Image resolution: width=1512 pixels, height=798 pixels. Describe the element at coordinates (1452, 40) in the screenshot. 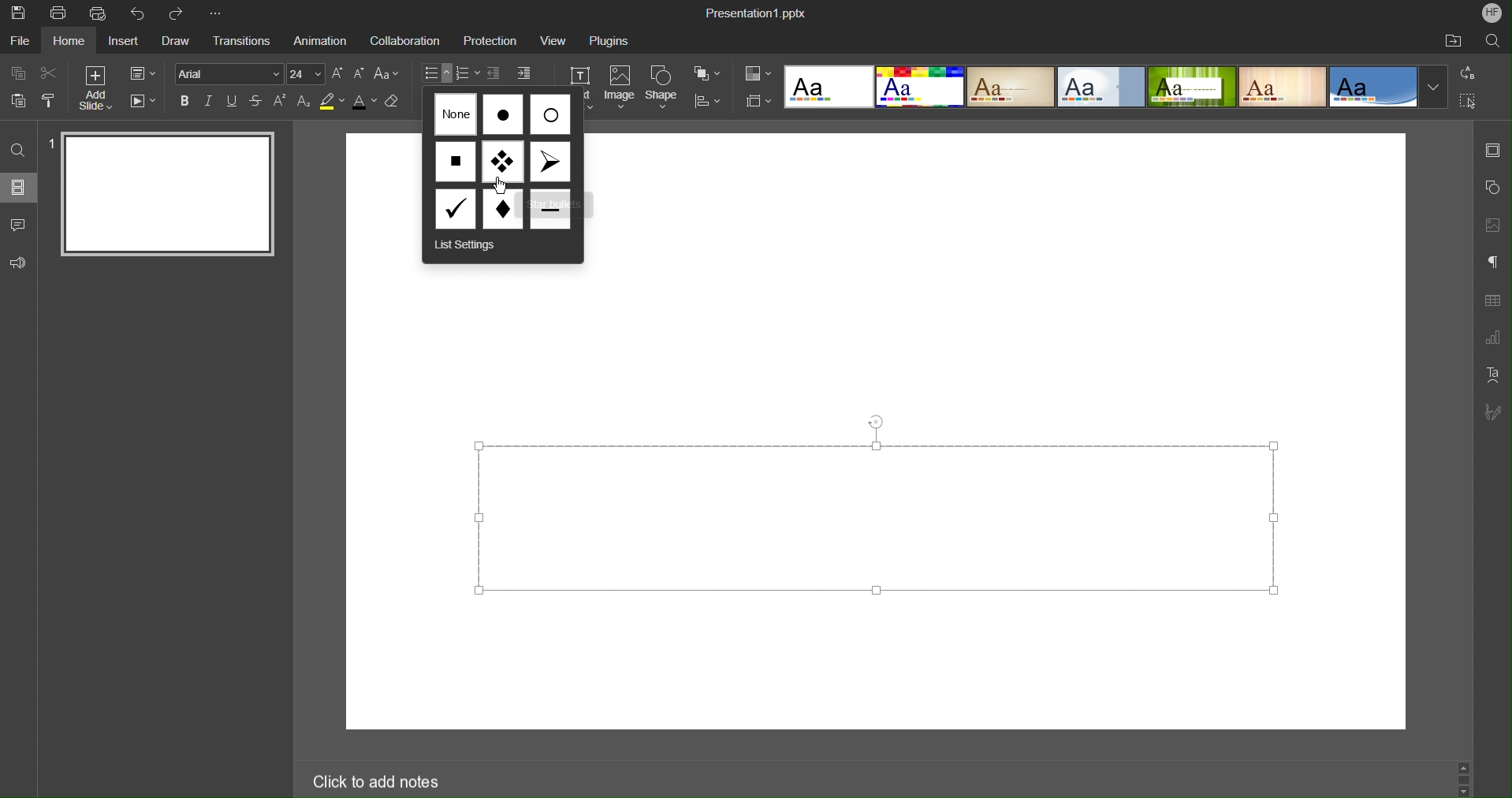

I see `Open File Location` at that location.